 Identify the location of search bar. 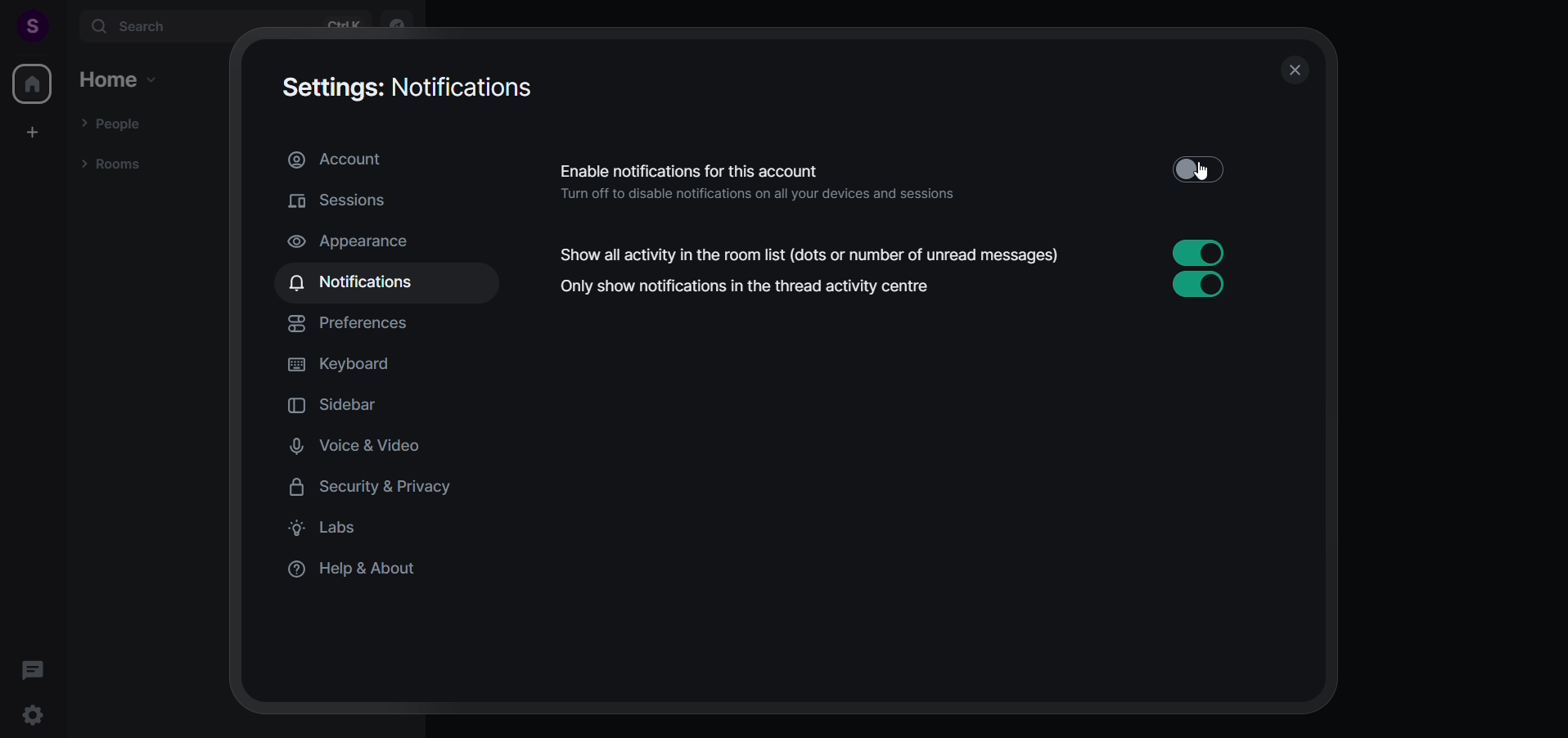
(225, 27).